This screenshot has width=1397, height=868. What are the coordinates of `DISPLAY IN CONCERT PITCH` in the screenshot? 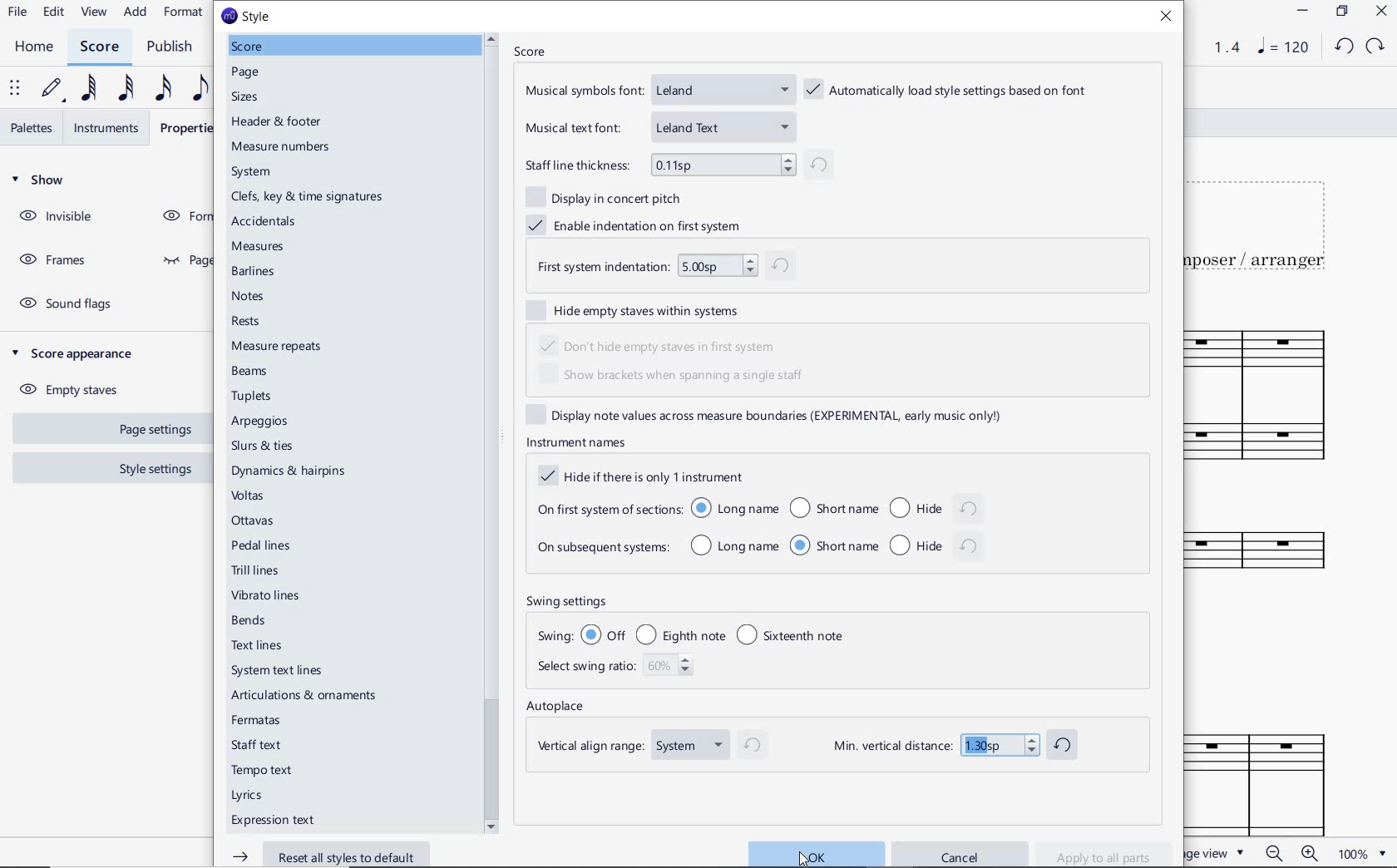 It's located at (610, 196).